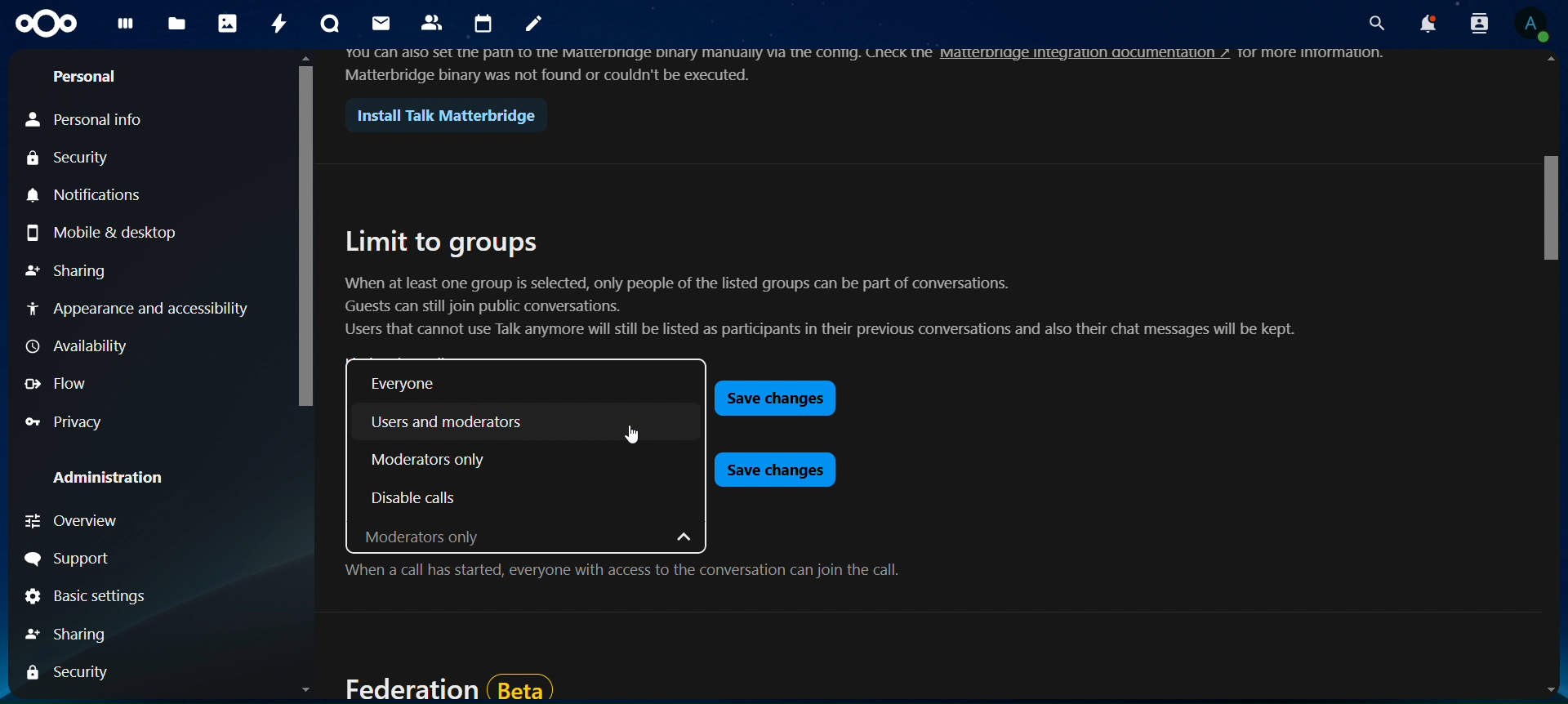  I want to click on appearance and accessibility, so click(138, 307).